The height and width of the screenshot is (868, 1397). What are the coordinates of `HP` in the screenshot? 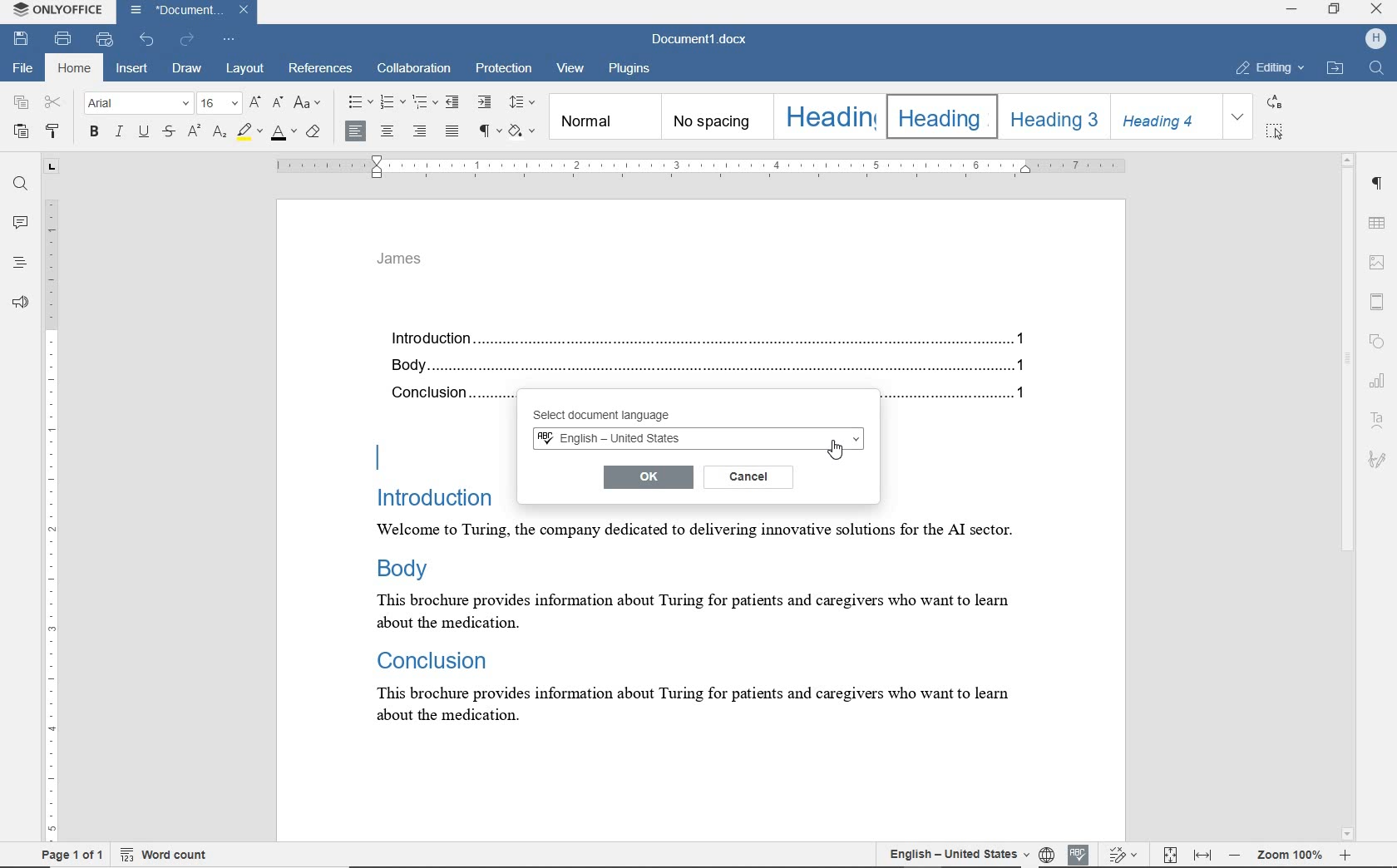 It's located at (1375, 39).